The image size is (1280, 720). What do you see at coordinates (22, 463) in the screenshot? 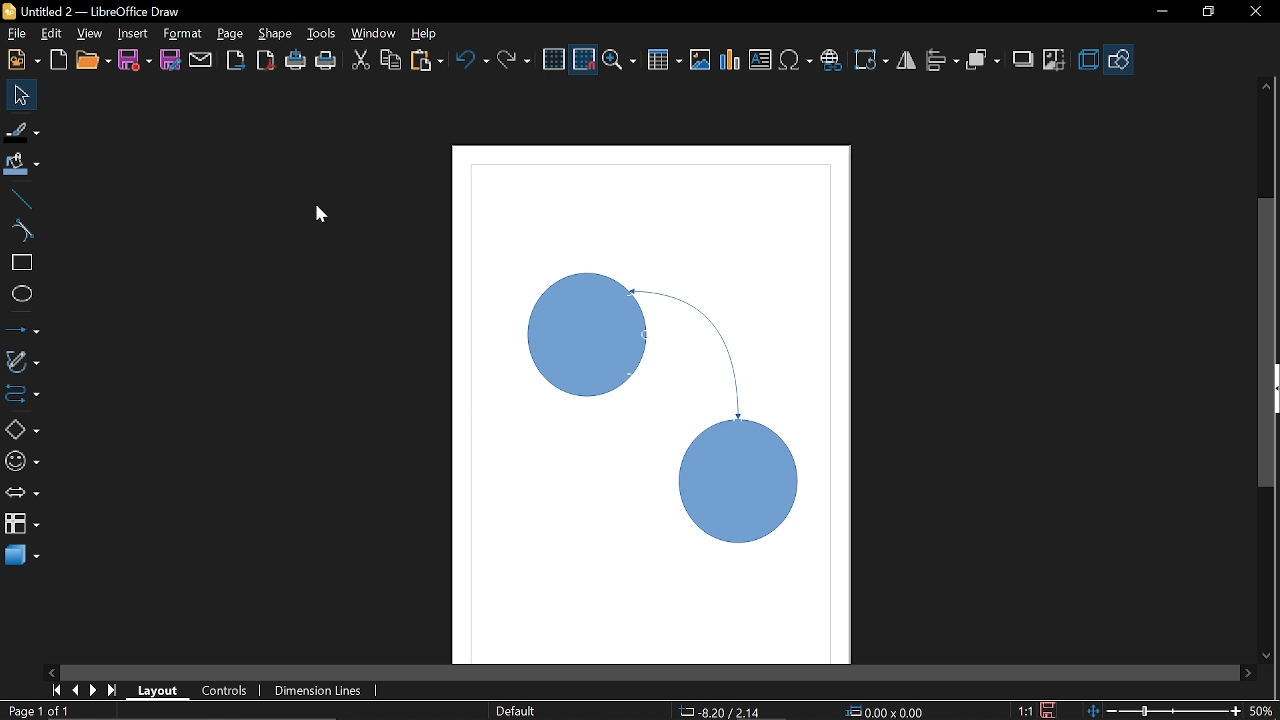
I see `Symbol shapes` at bounding box center [22, 463].